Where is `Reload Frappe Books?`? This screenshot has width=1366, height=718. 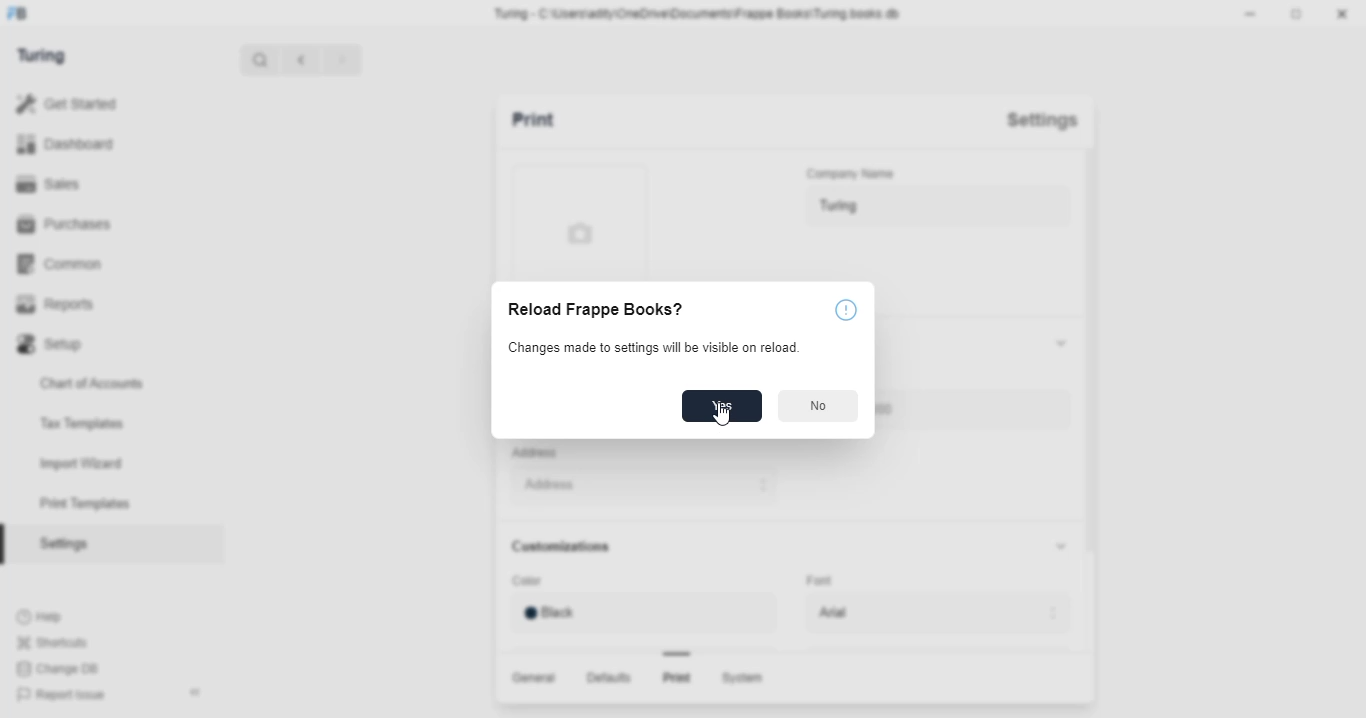
Reload Frappe Books? is located at coordinates (592, 310).